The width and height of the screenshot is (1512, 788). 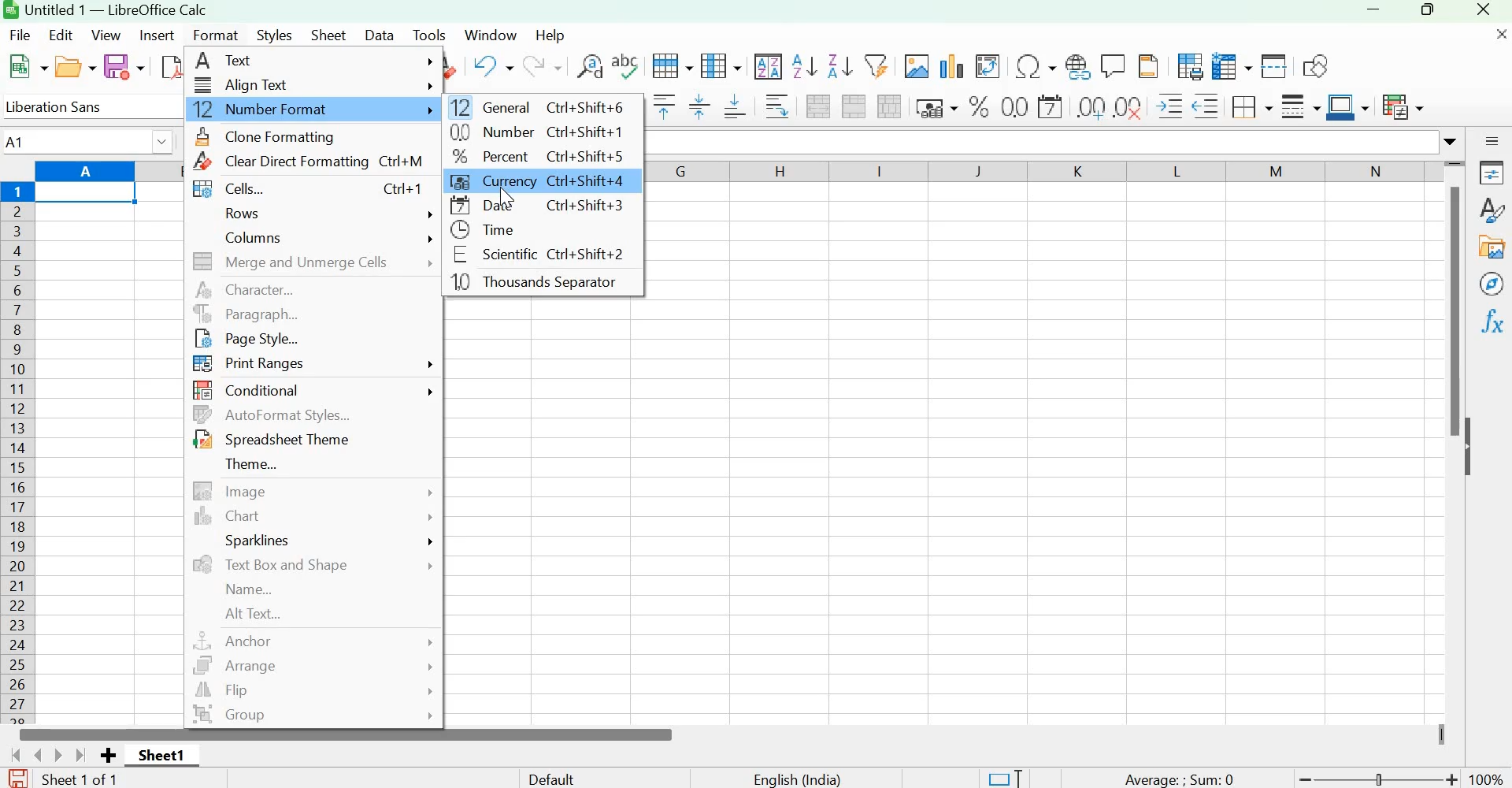 I want to click on Clear Direct Formatting, so click(x=302, y=162).